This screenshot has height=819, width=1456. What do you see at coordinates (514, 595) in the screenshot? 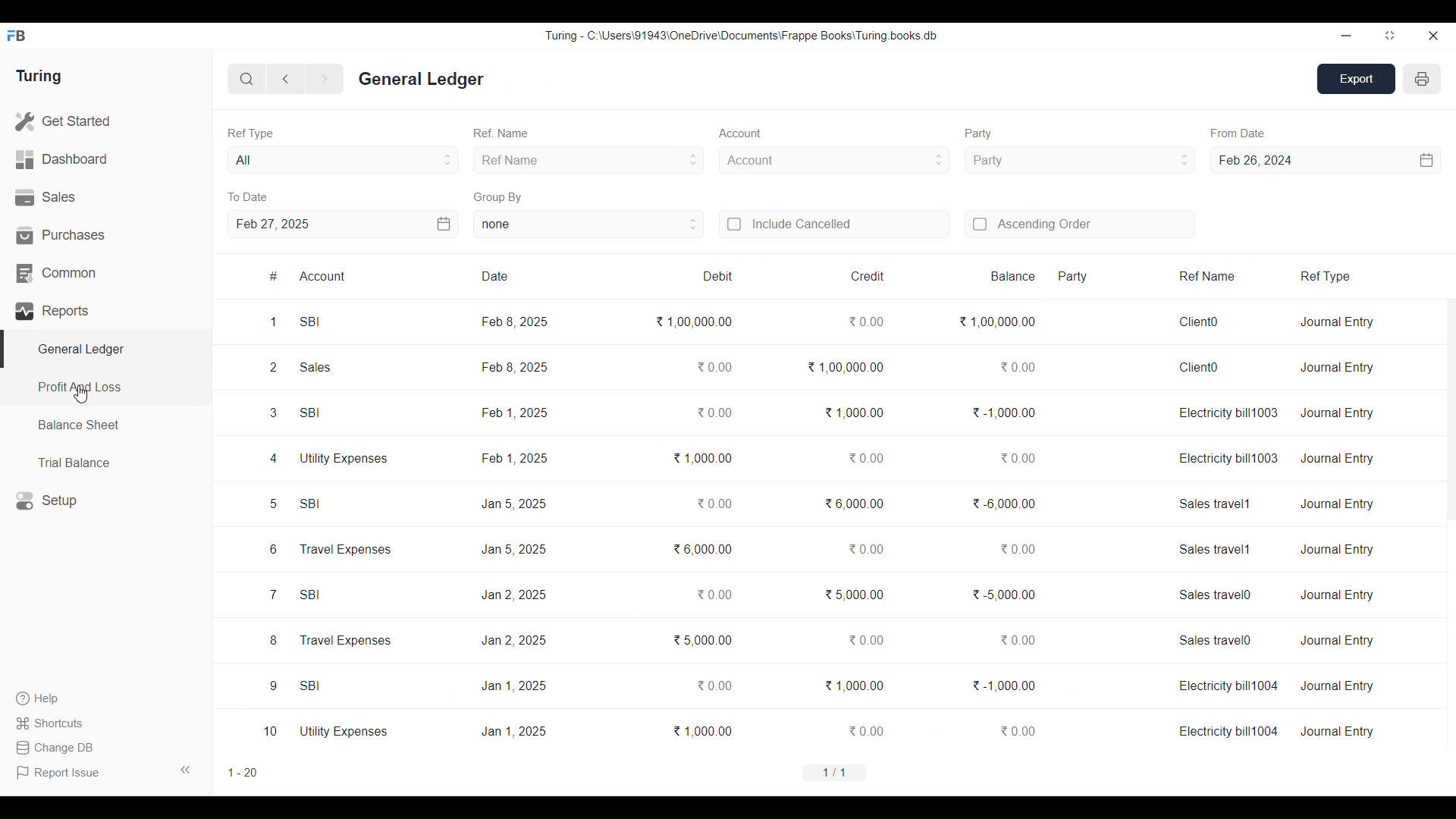
I see `Jan 2, 2025` at bounding box center [514, 595].